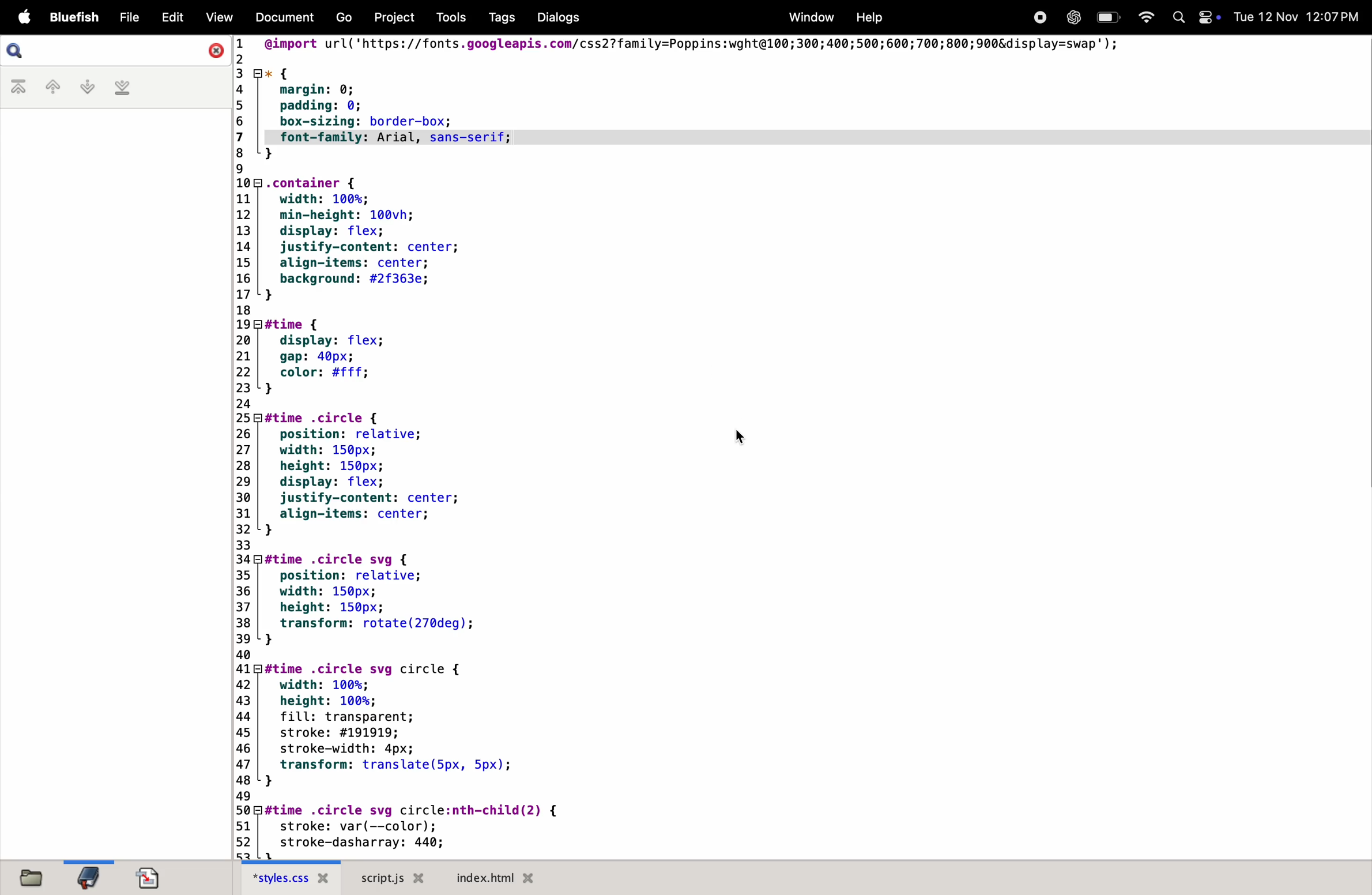  What do you see at coordinates (1298, 17) in the screenshot?
I see `Tue 12 Nov 12:07PM` at bounding box center [1298, 17].